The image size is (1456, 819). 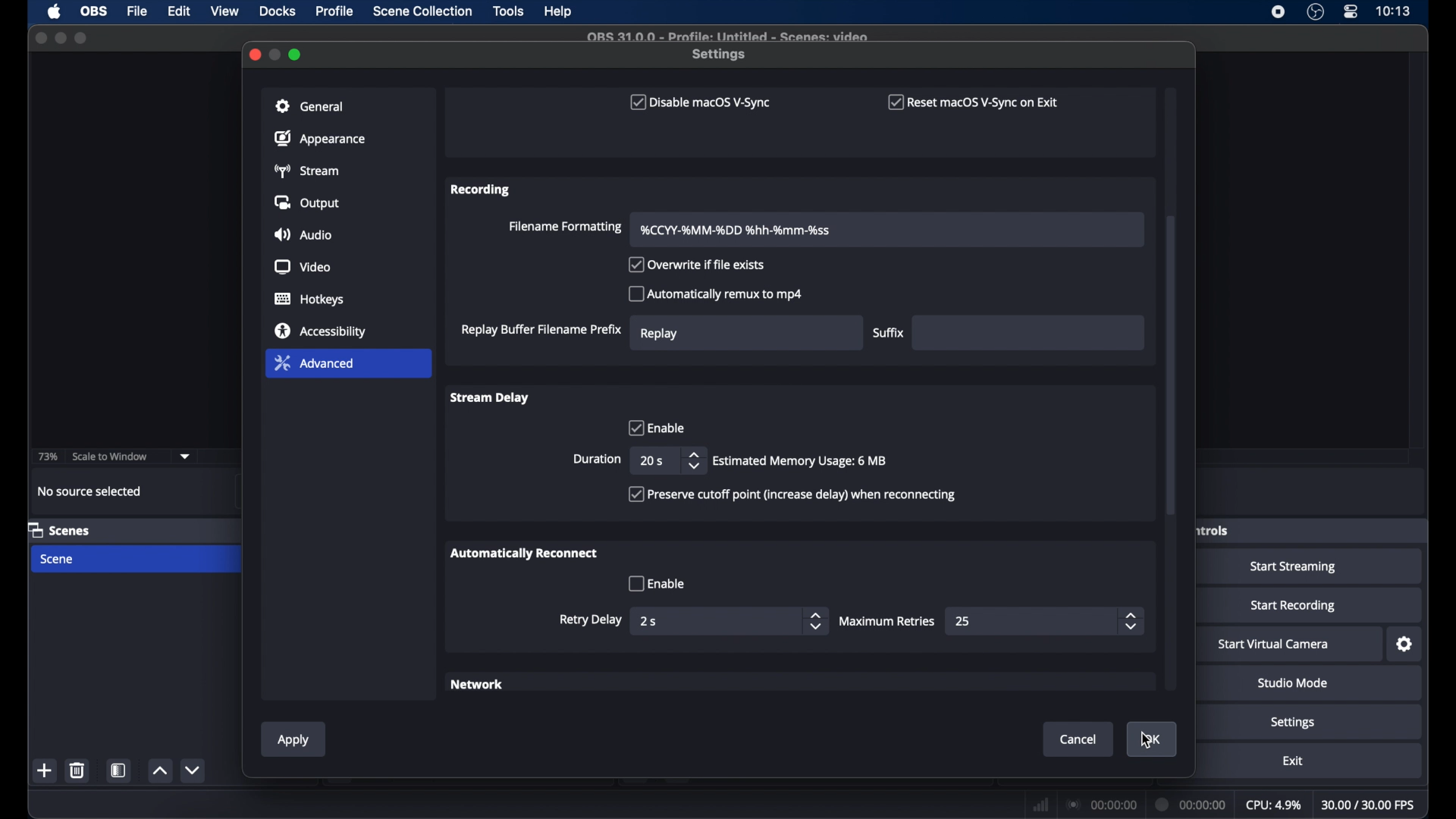 What do you see at coordinates (120, 770) in the screenshot?
I see `scene filters` at bounding box center [120, 770].